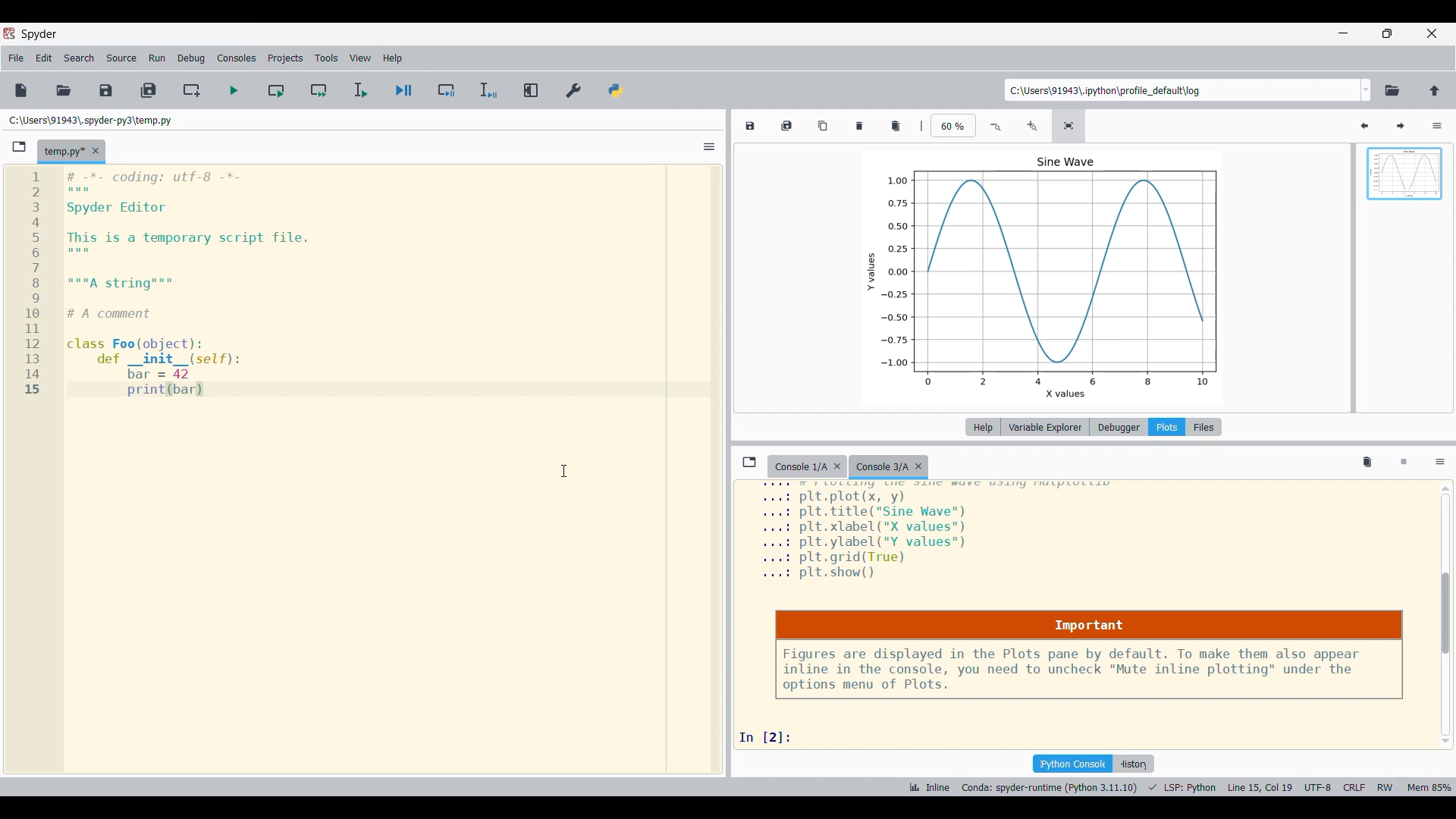 Image resolution: width=1456 pixels, height=819 pixels. What do you see at coordinates (191, 57) in the screenshot?
I see `Debug menu` at bounding box center [191, 57].